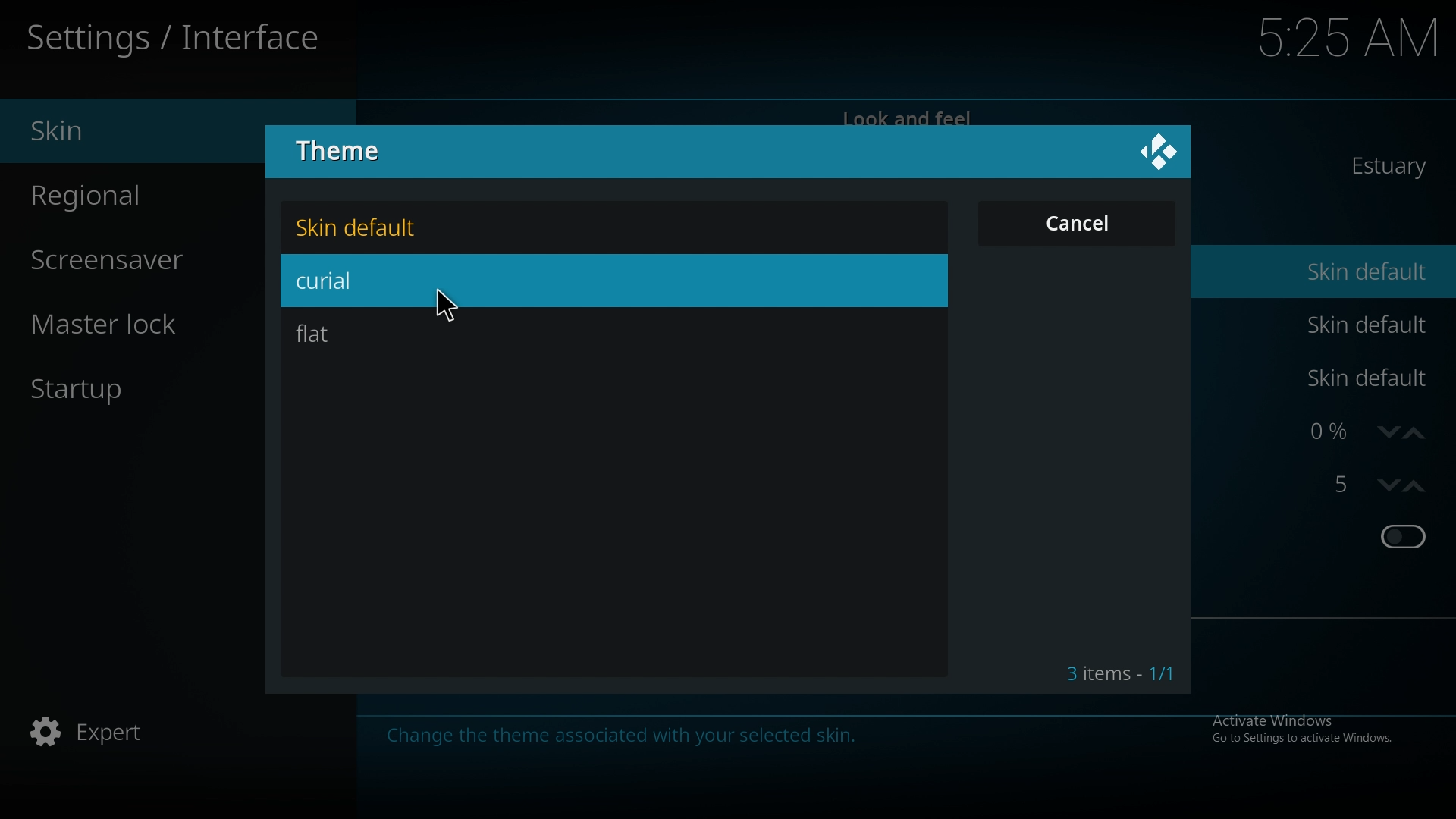 This screenshot has height=819, width=1456. Describe the element at coordinates (1159, 154) in the screenshot. I see `close` at that location.